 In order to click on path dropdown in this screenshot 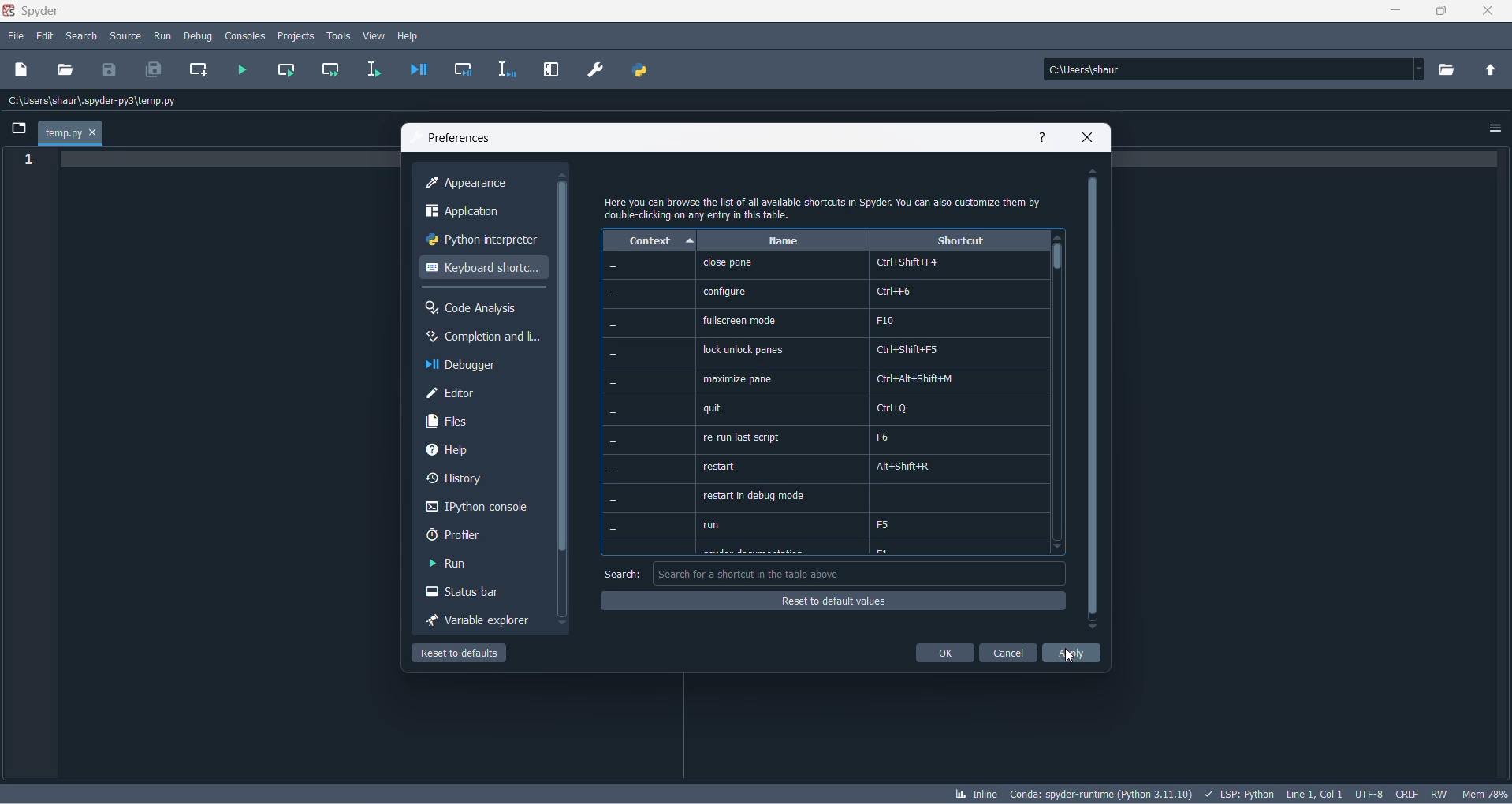, I will do `click(1424, 69)`.